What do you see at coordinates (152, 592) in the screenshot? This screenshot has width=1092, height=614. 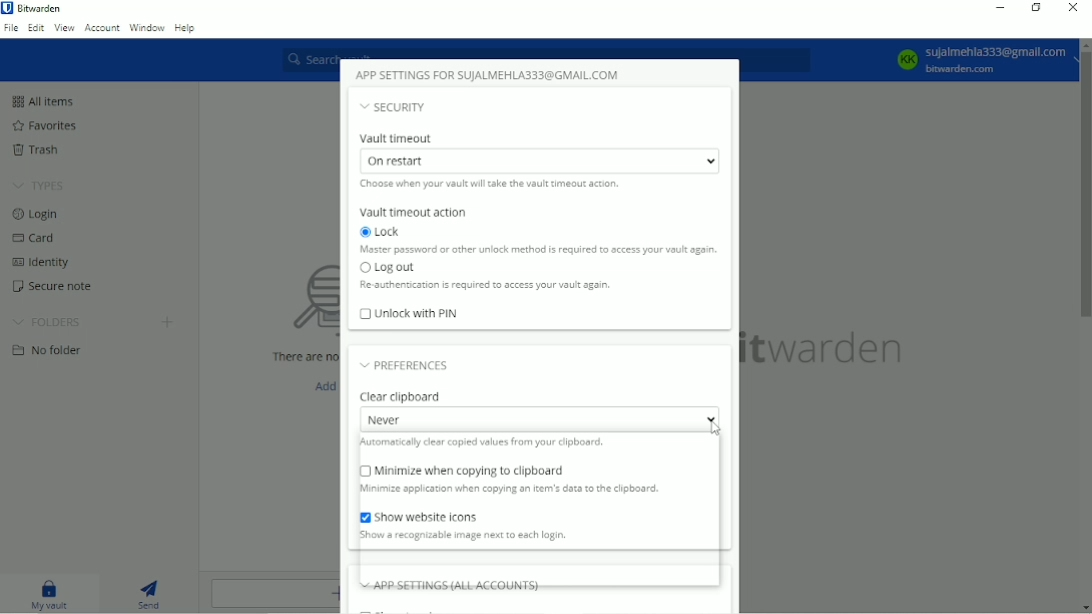 I see `Send` at bounding box center [152, 592].